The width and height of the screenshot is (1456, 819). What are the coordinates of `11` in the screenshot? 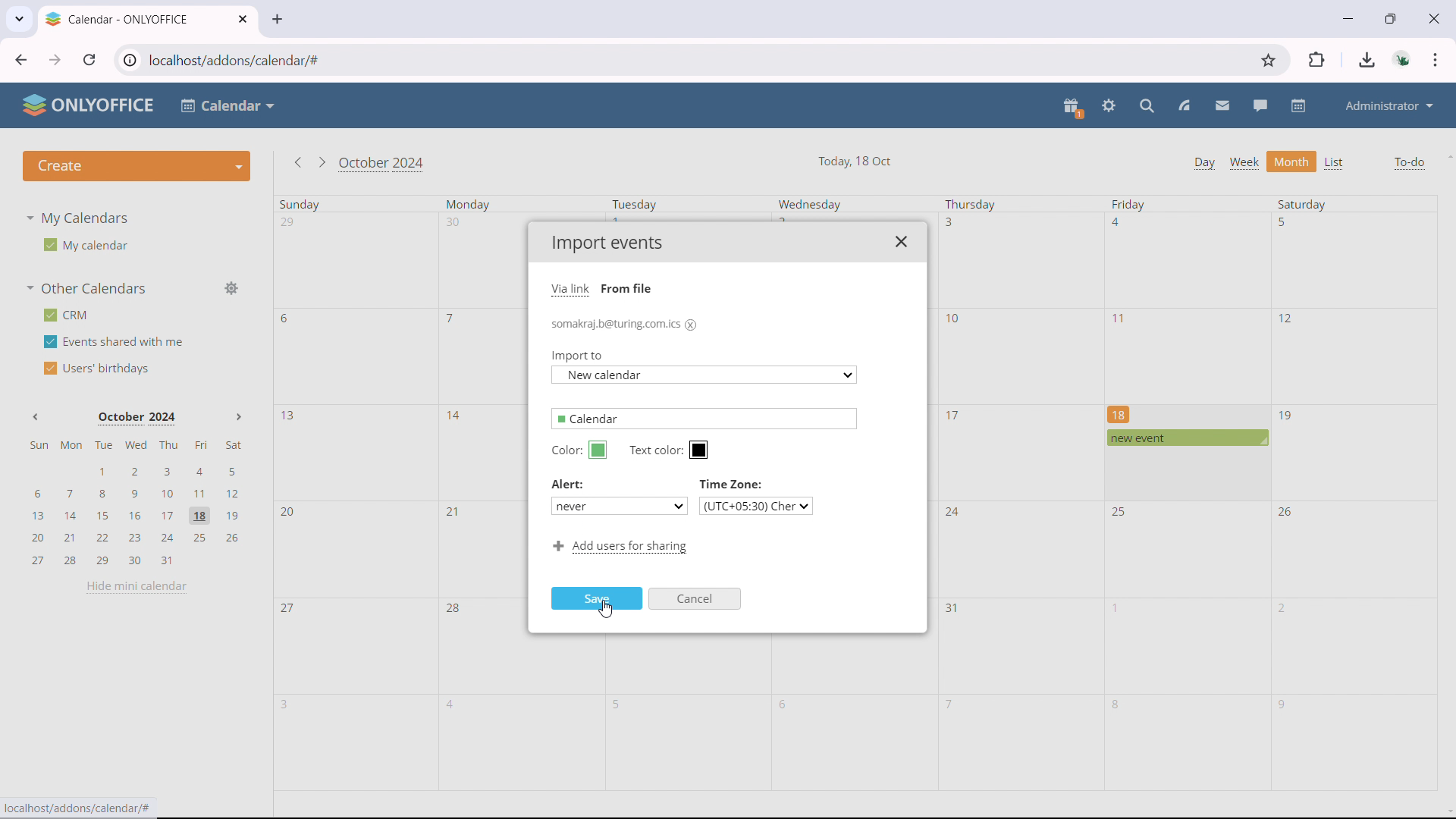 It's located at (1122, 318).